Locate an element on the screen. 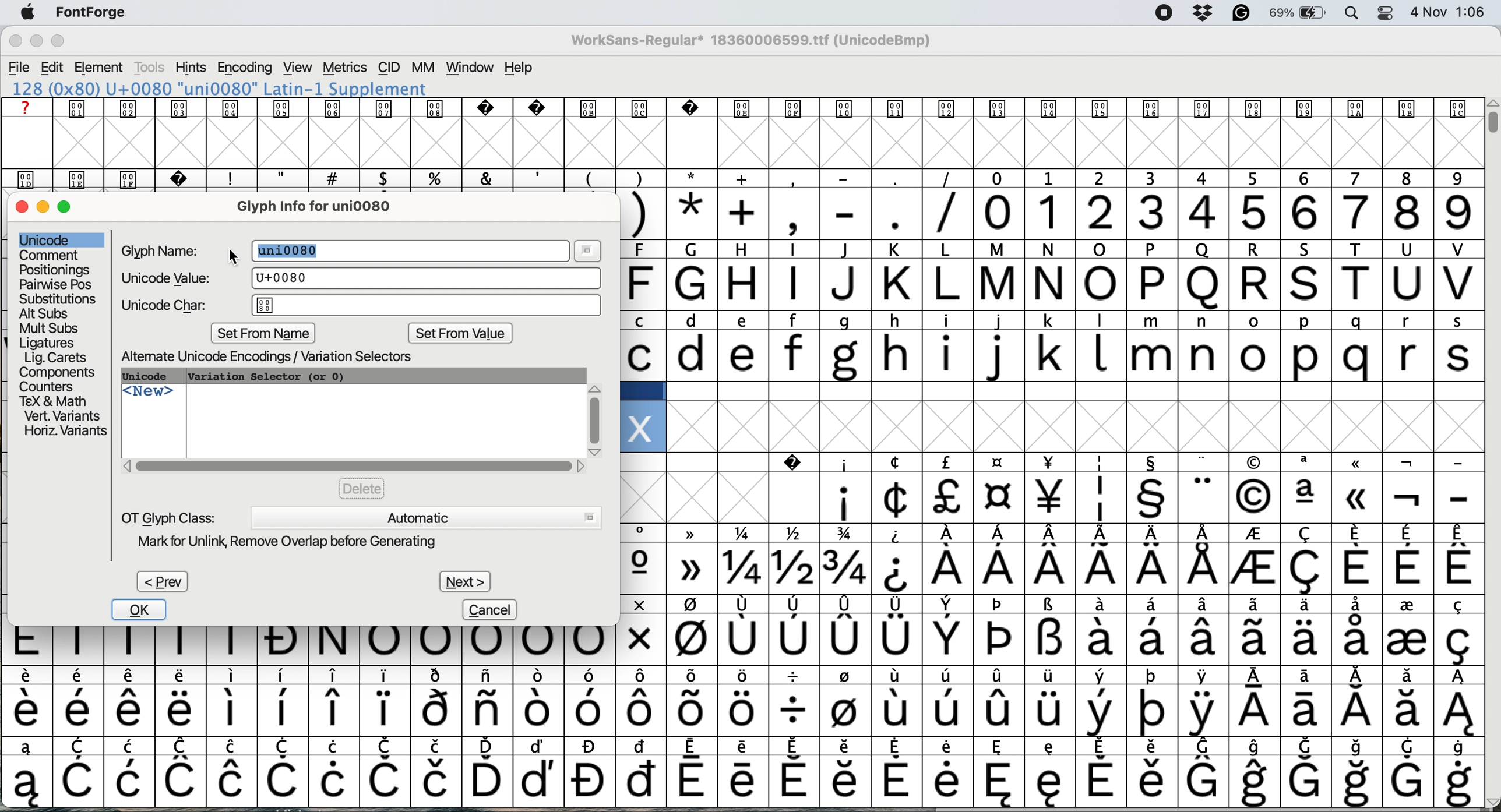 The width and height of the screenshot is (1501, 812). alt subs is located at coordinates (46, 312).